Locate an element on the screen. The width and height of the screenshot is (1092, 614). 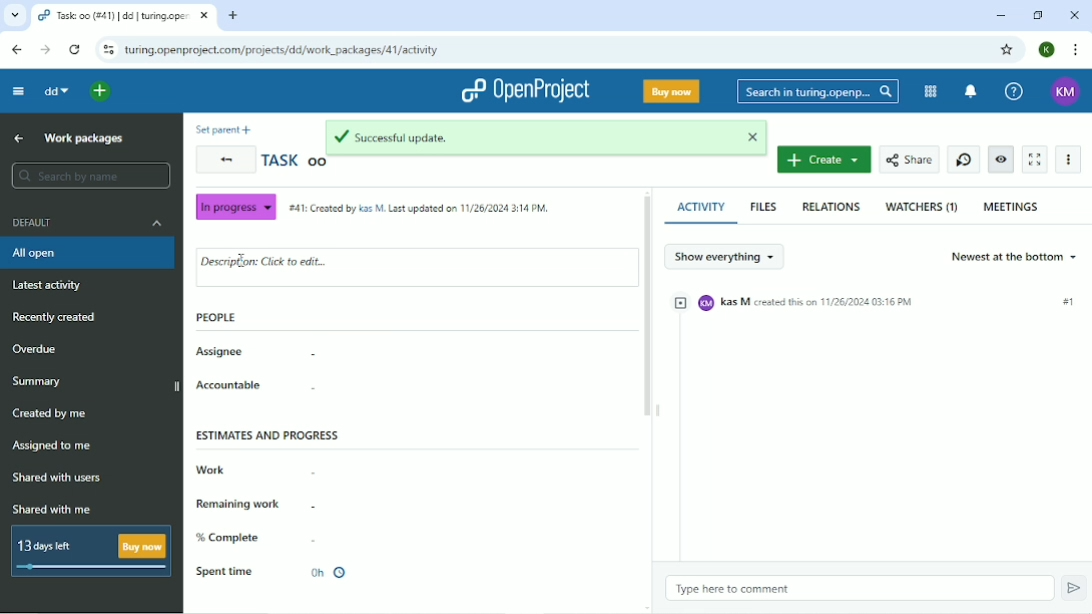
More is located at coordinates (1070, 158).